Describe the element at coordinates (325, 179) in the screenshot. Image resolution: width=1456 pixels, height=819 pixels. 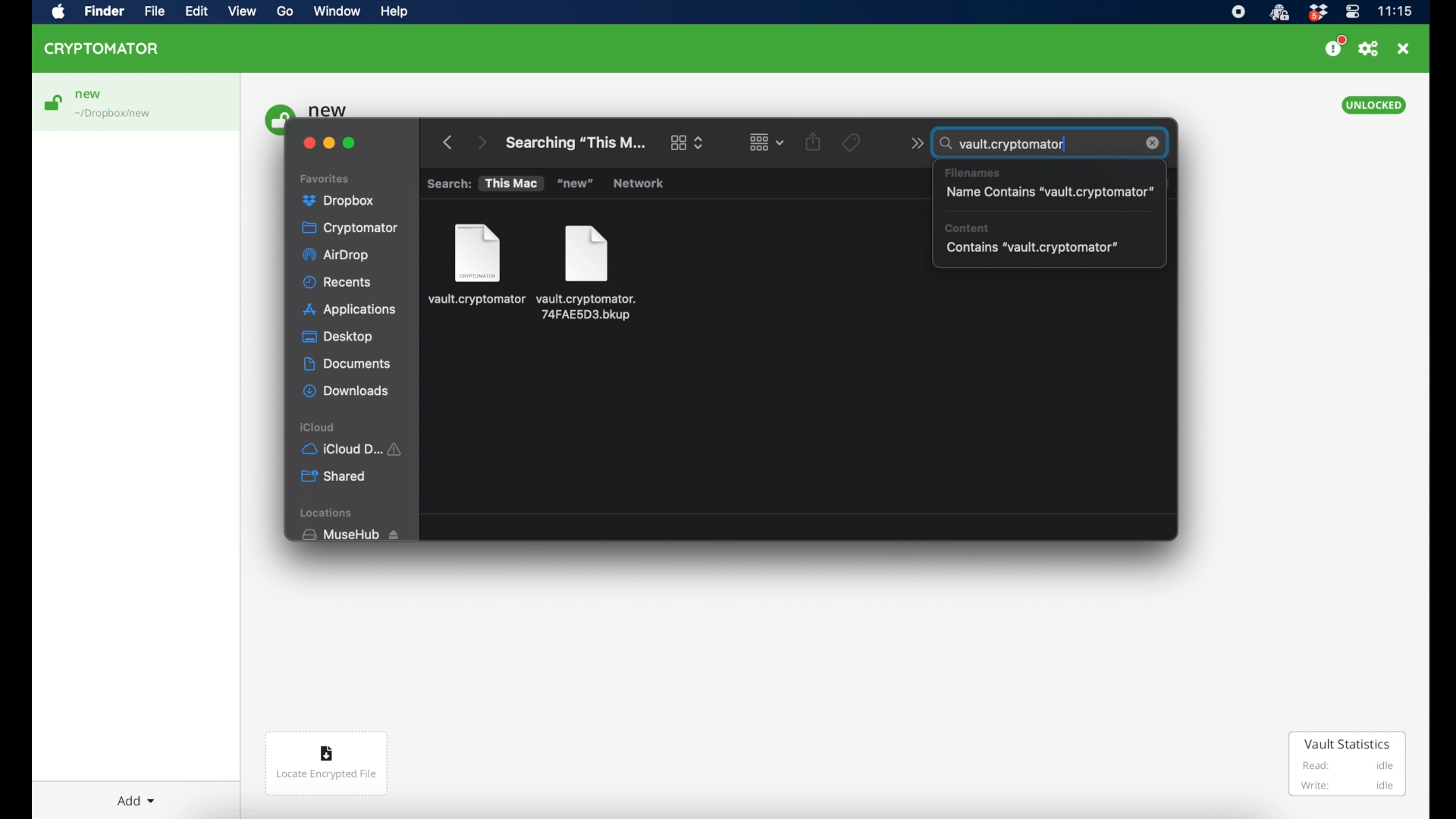
I see `favorites` at that location.